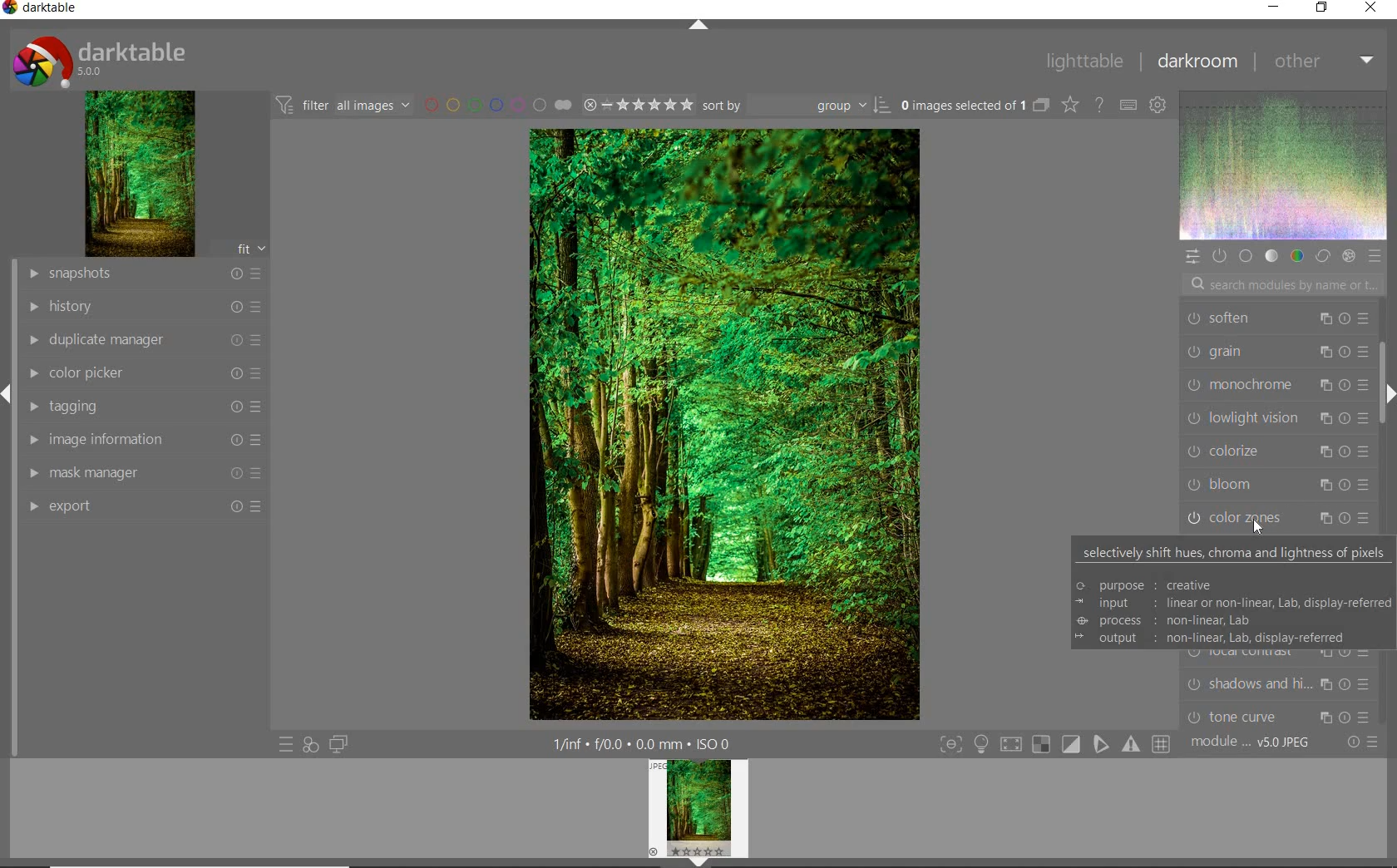 Image resolution: width=1397 pixels, height=868 pixels. Describe the element at coordinates (141, 373) in the screenshot. I see `COLOR PICKER` at that location.